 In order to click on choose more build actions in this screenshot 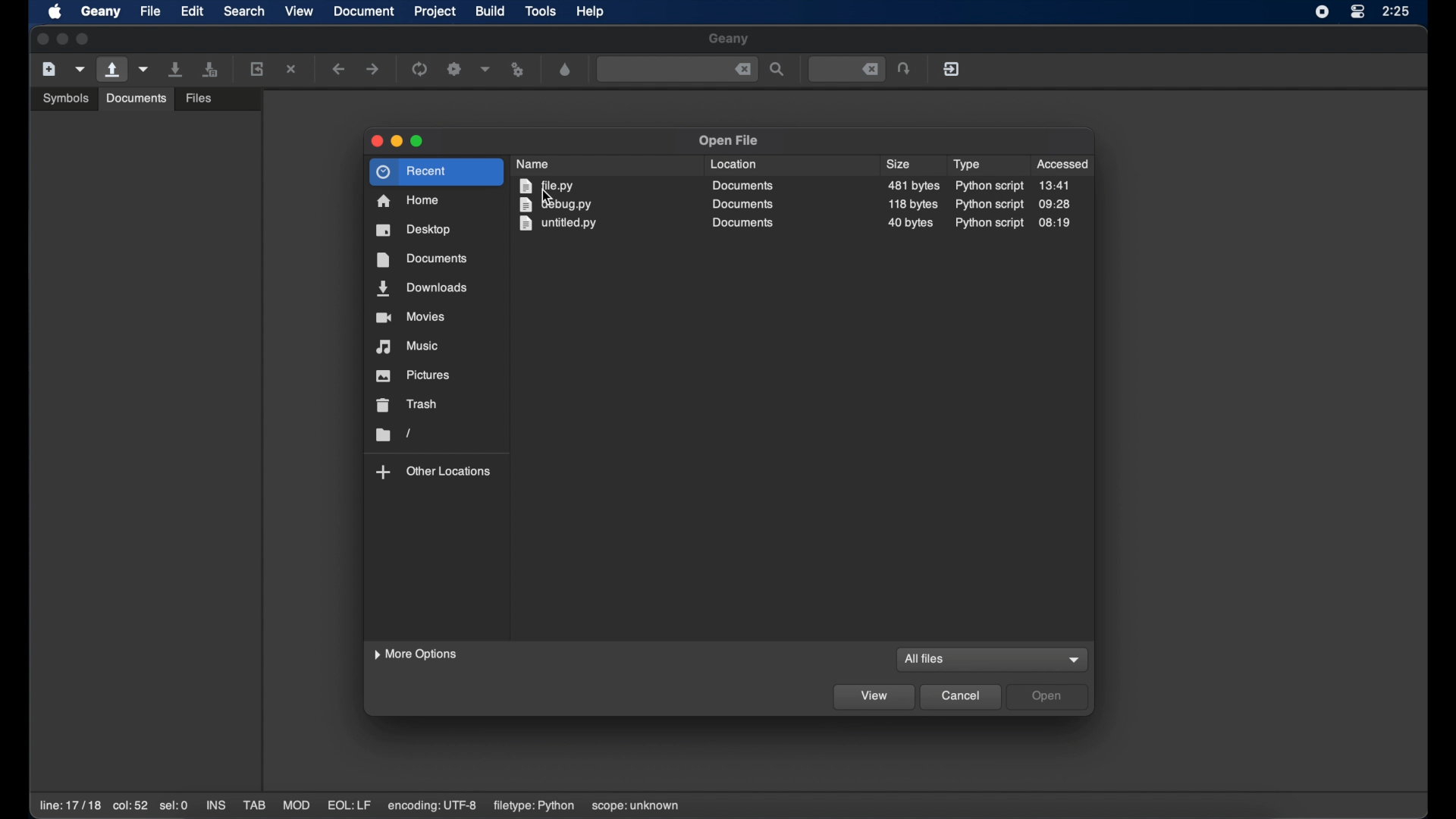, I will do `click(486, 69)`.